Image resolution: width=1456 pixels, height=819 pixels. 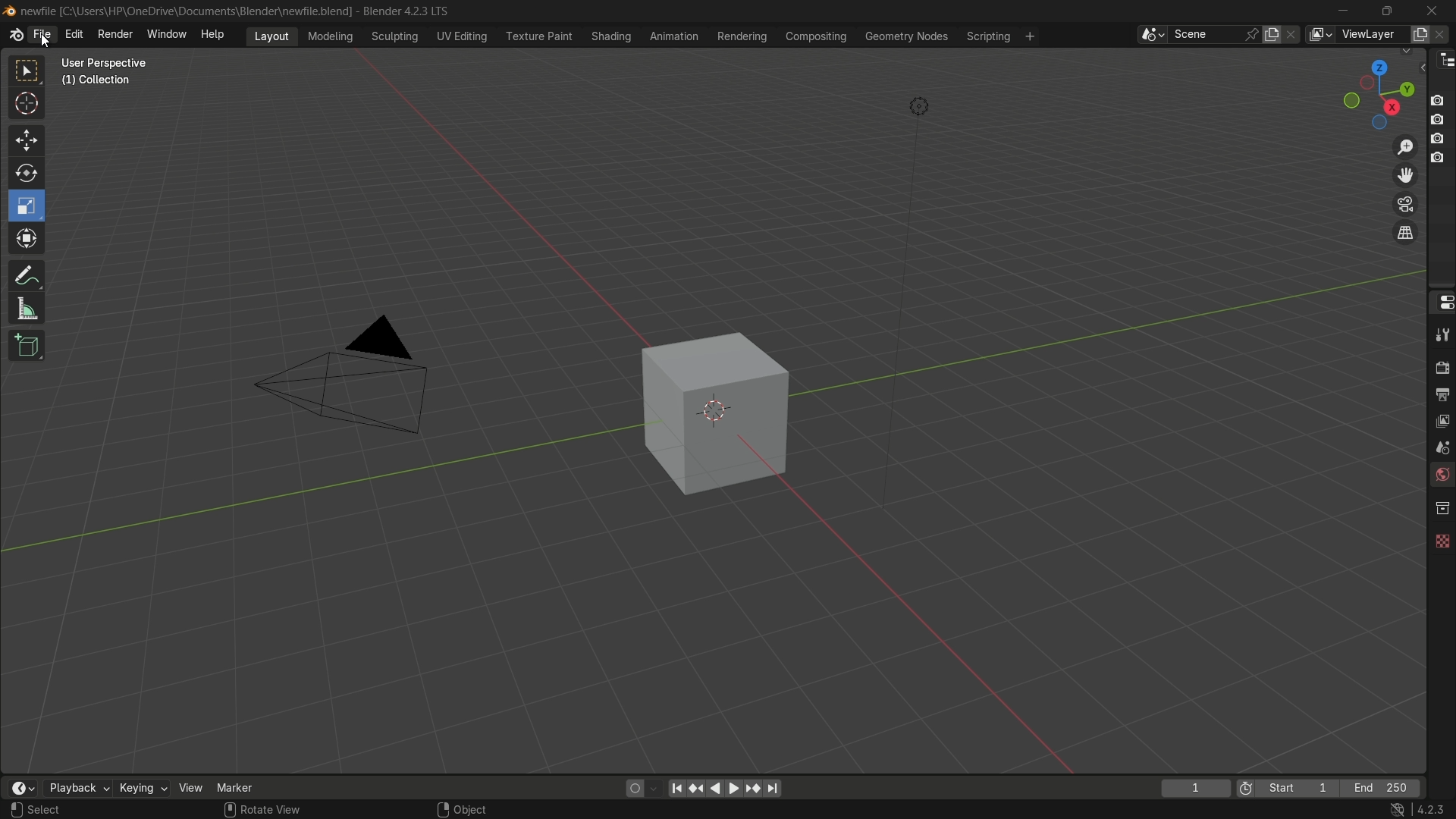 I want to click on render menu, so click(x=115, y=33).